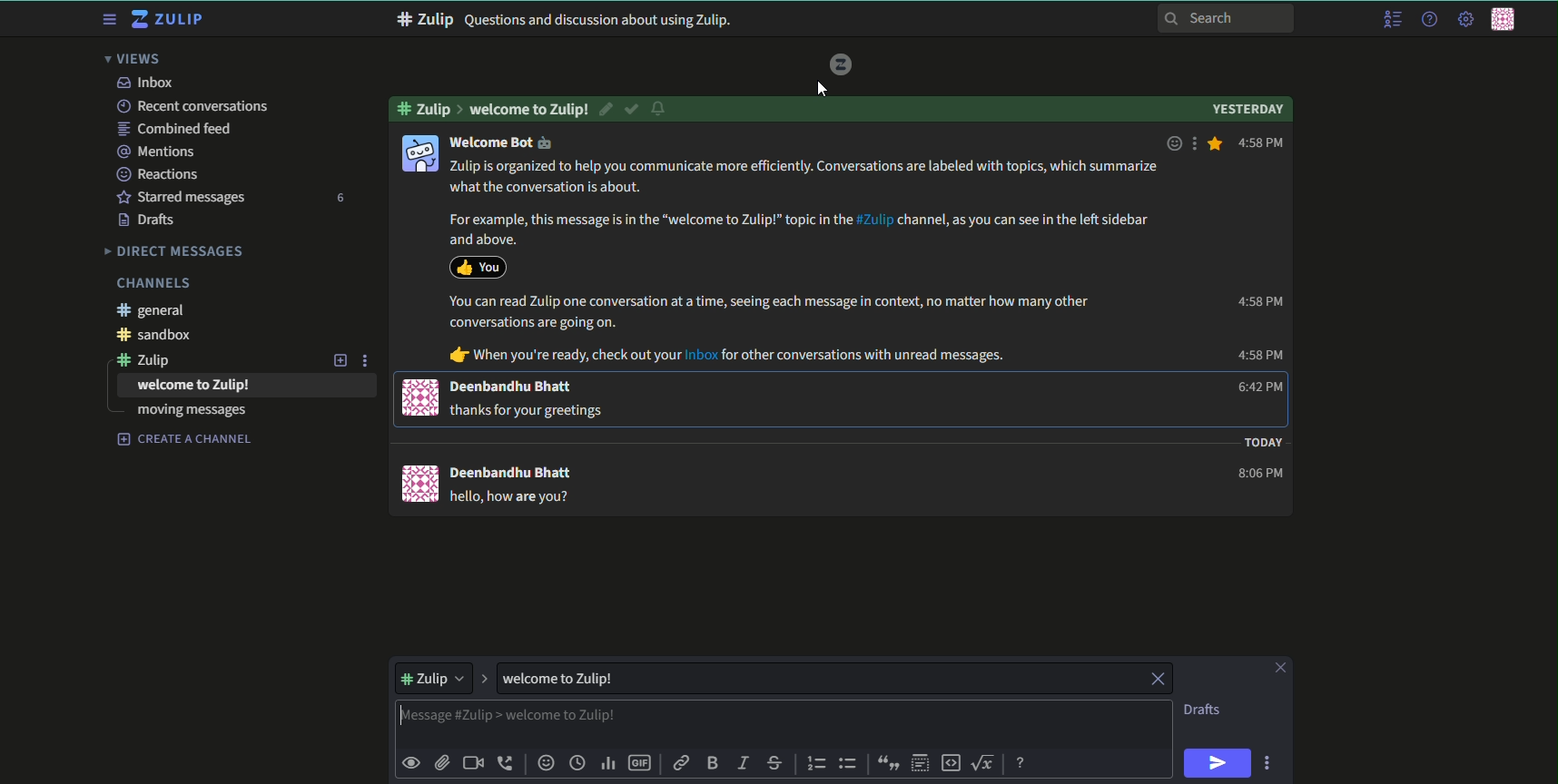  I want to click on Welcome to Zulip!, so click(529, 109).